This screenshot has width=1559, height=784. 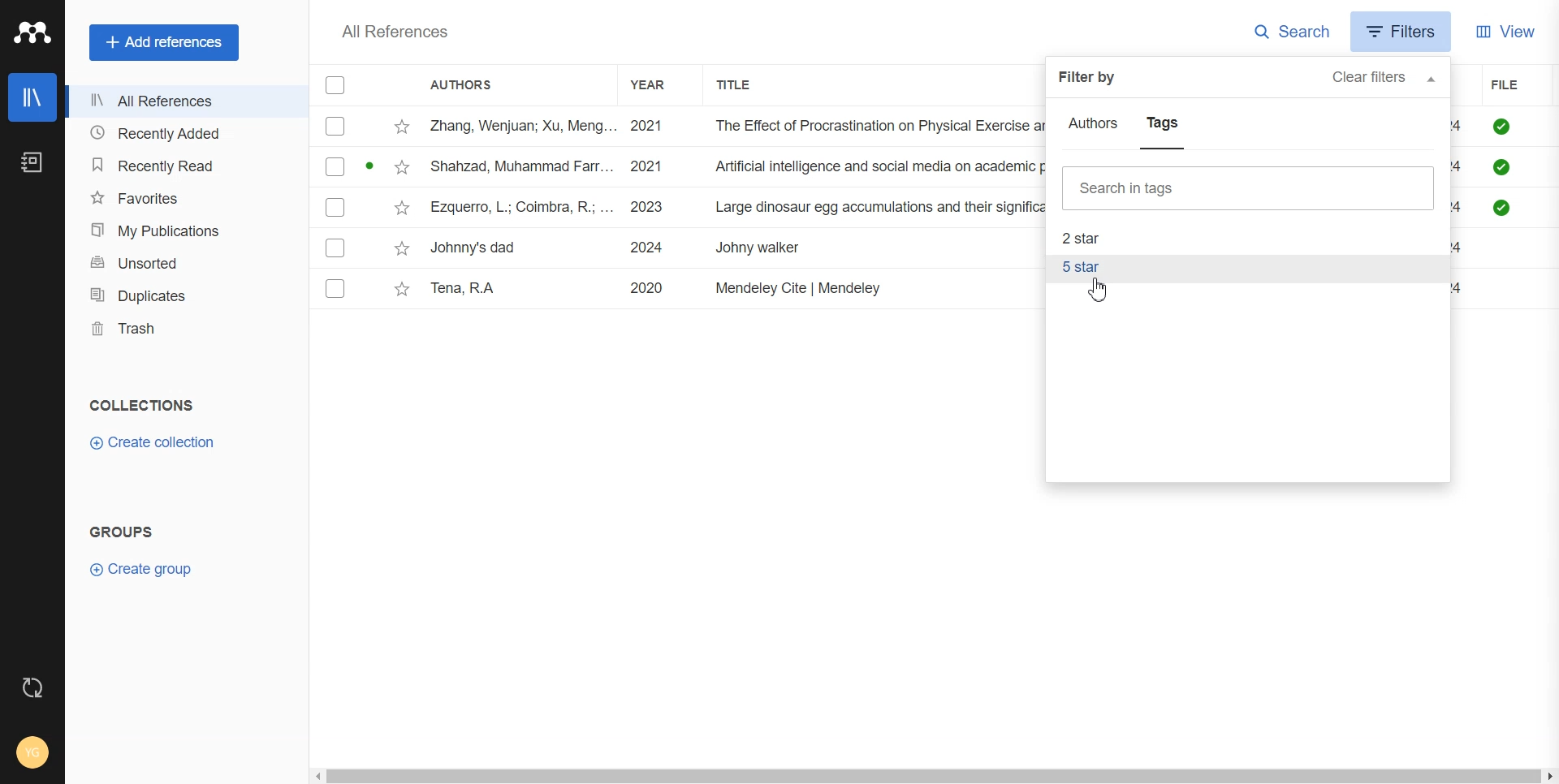 What do you see at coordinates (1496, 84) in the screenshot?
I see `File` at bounding box center [1496, 84].